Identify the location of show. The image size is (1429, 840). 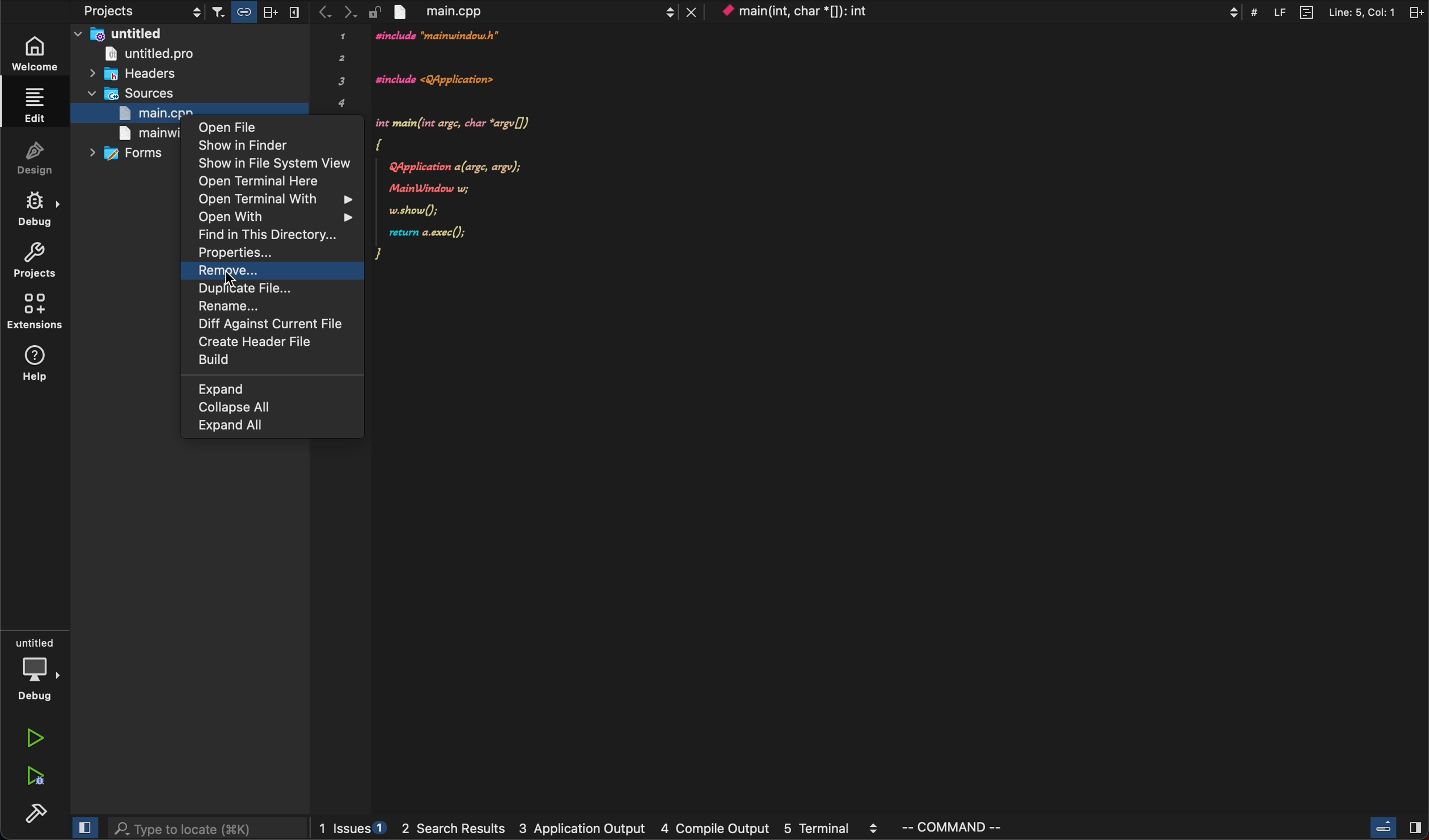
(240, 146).